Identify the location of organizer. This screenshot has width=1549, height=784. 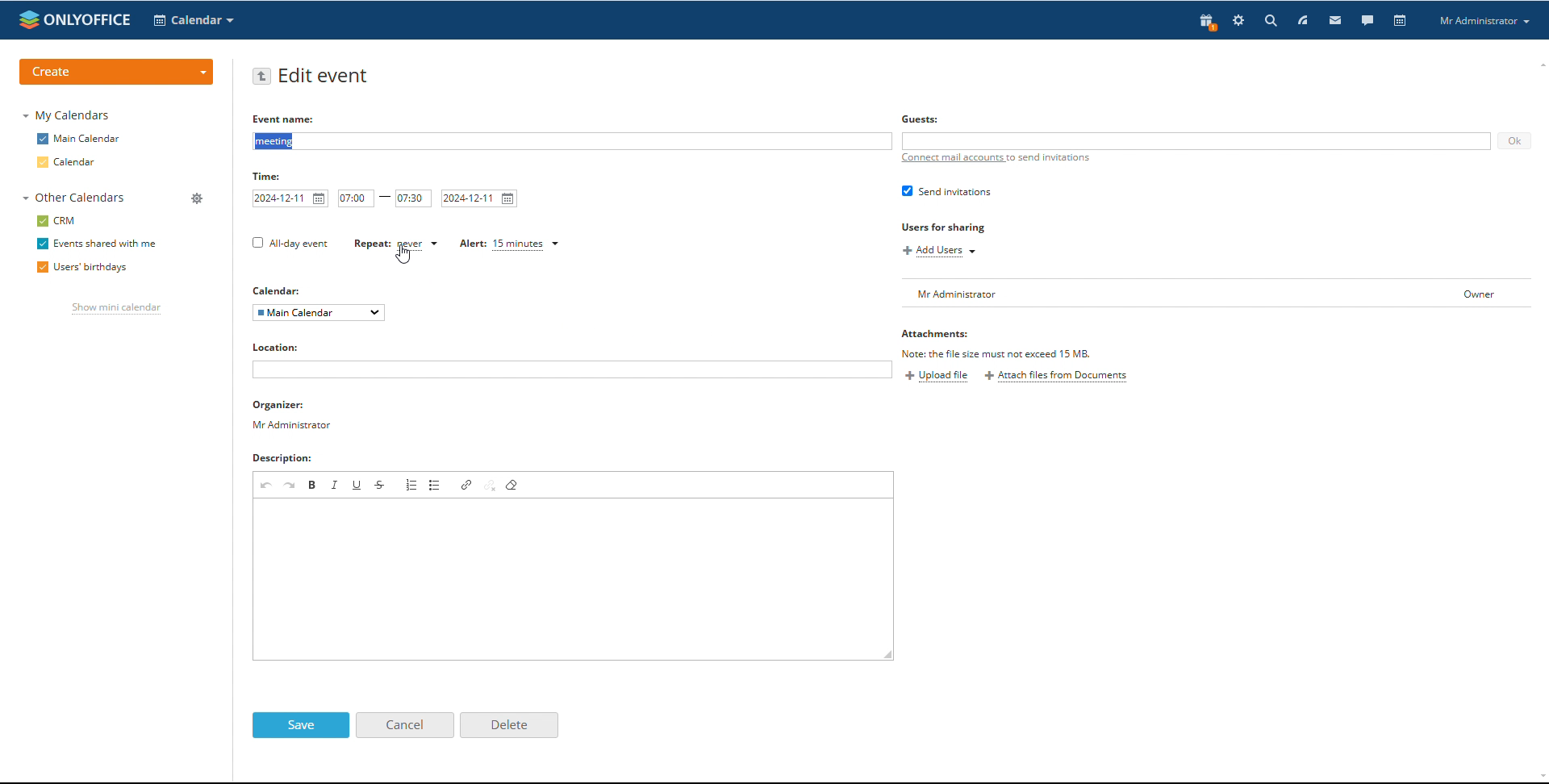
(293, 407).